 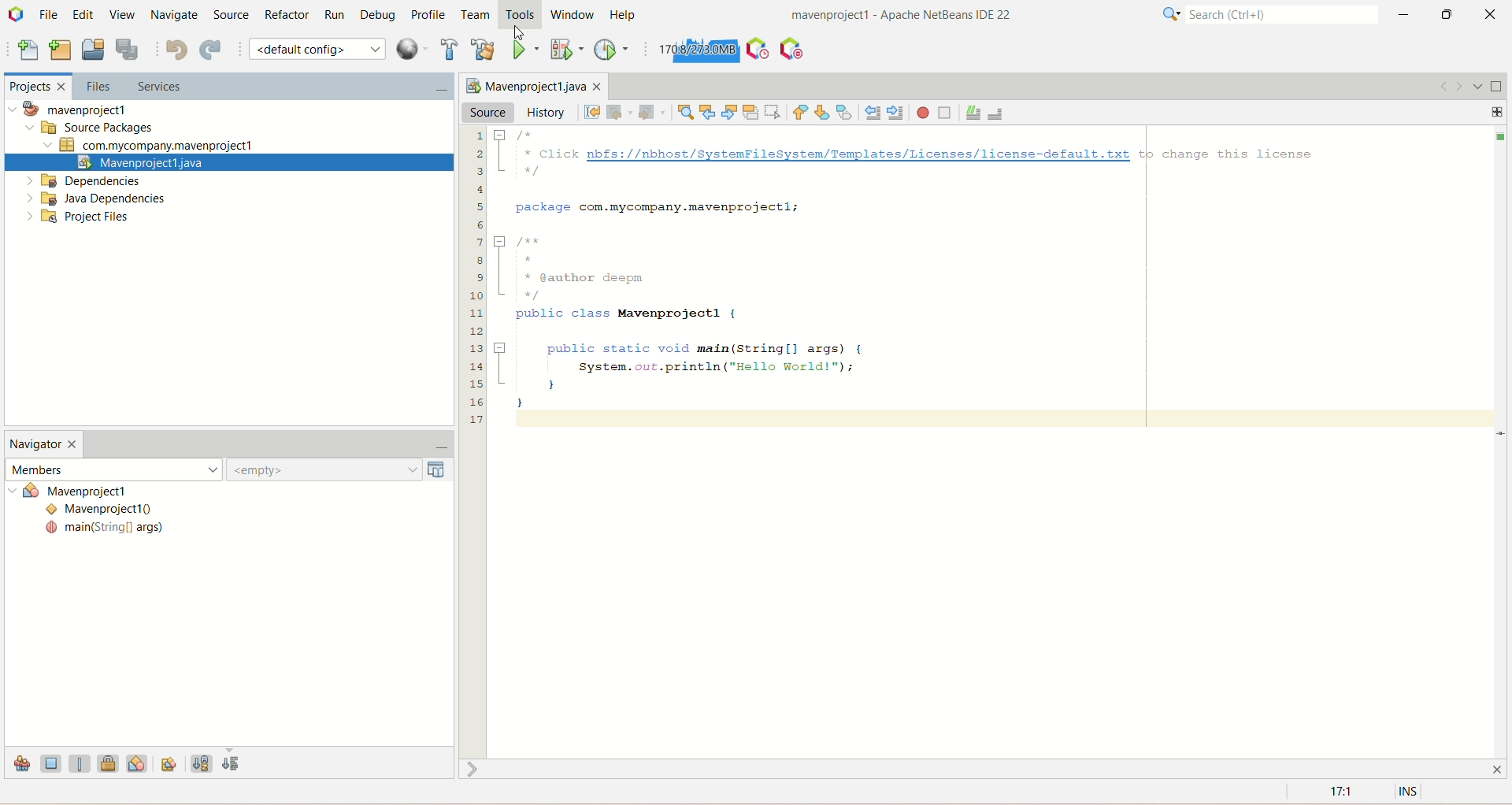 What do you see at coordinates (75, 109) in the screenshot?
I see `mavenproject1` at bounding box center [75, 109].